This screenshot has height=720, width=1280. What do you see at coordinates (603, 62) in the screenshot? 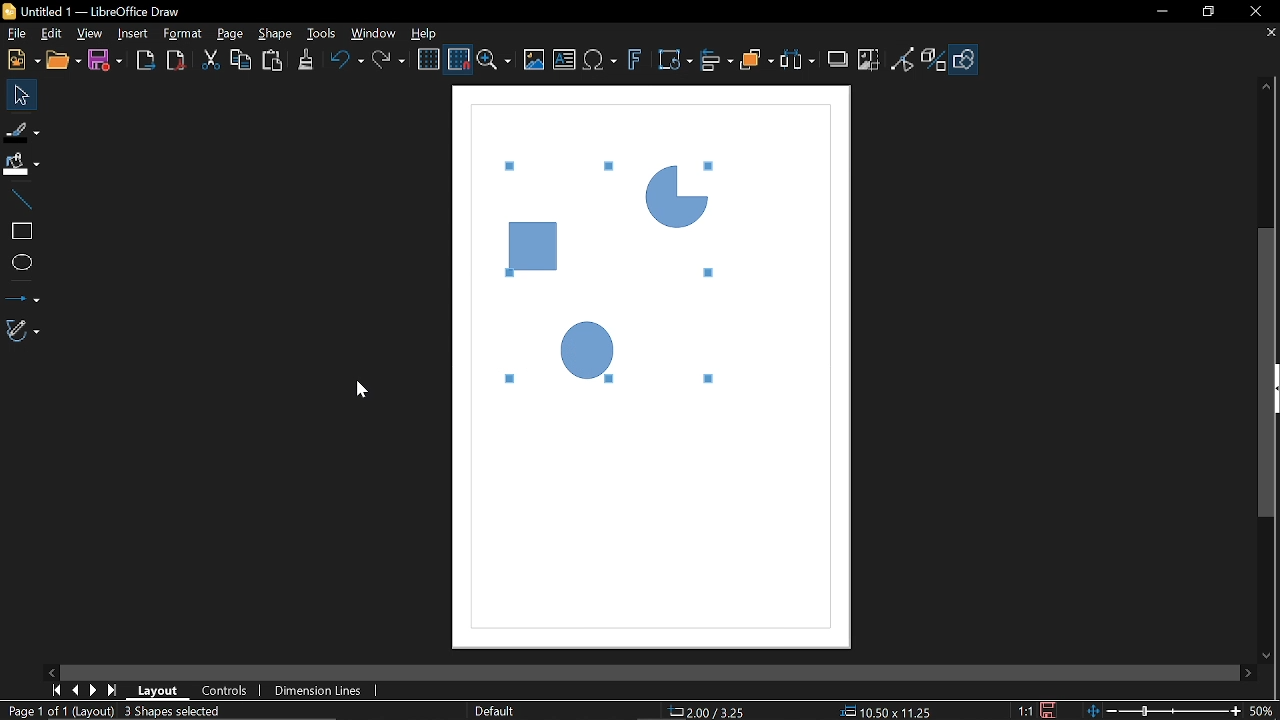
I see `Insert equation` at bounding box center [603, 62].